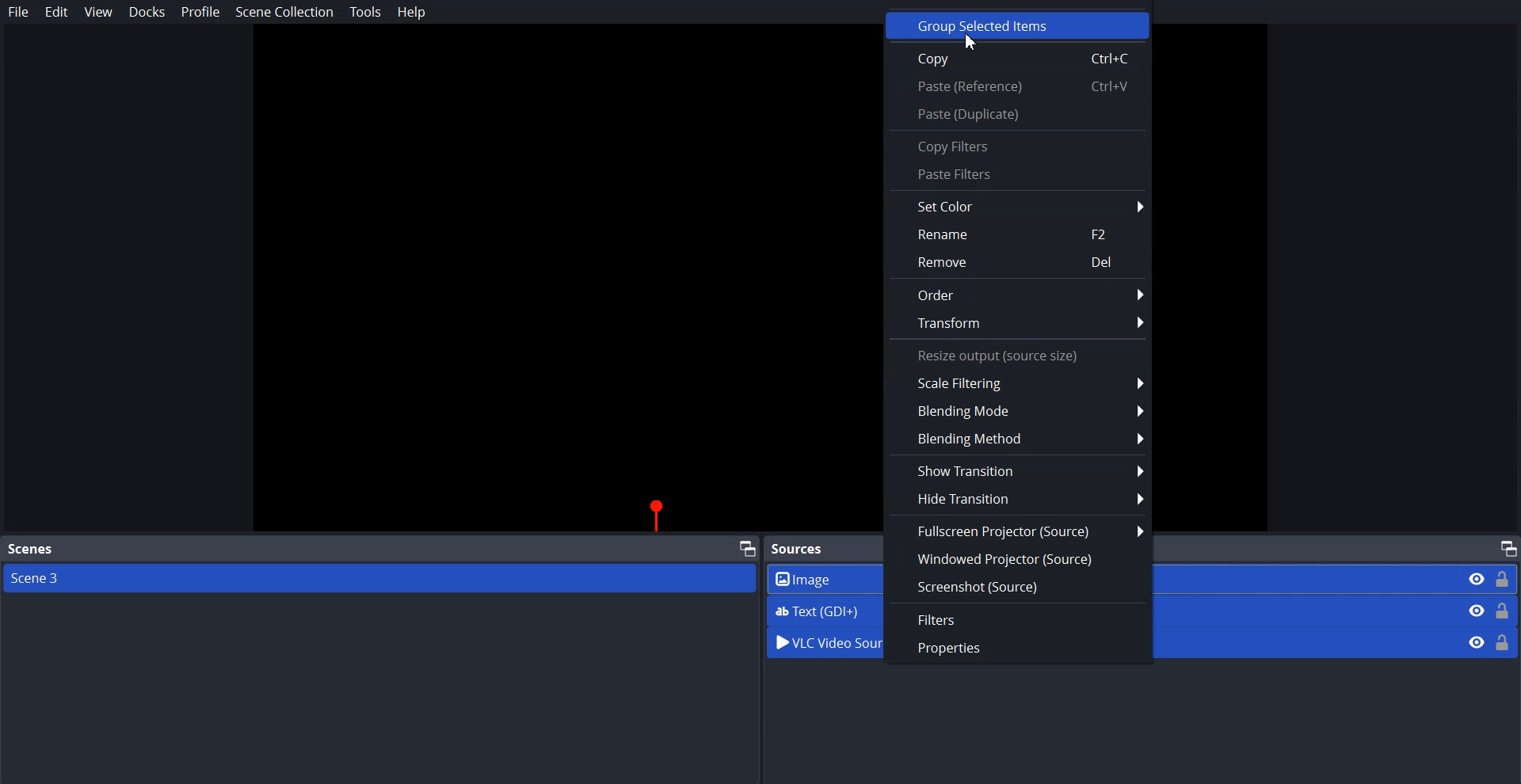  Describe the element at coordinates (748, 547) in the screenshot. I see `Maximize` at that location.